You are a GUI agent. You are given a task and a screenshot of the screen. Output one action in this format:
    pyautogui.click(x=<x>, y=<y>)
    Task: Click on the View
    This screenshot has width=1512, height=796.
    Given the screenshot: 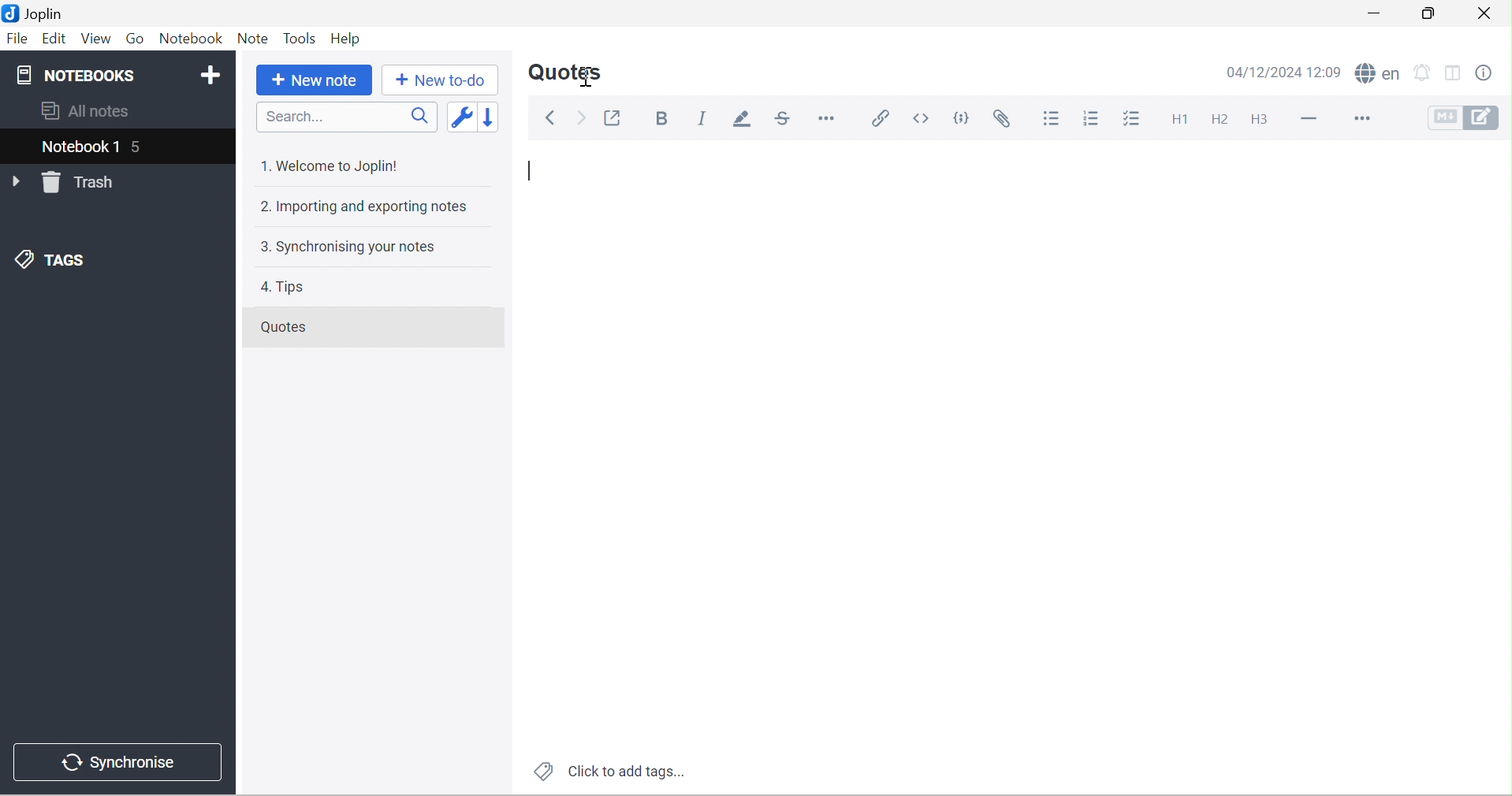 What is the action you would take?
    pyautogui.click(x=97, y=39)
    